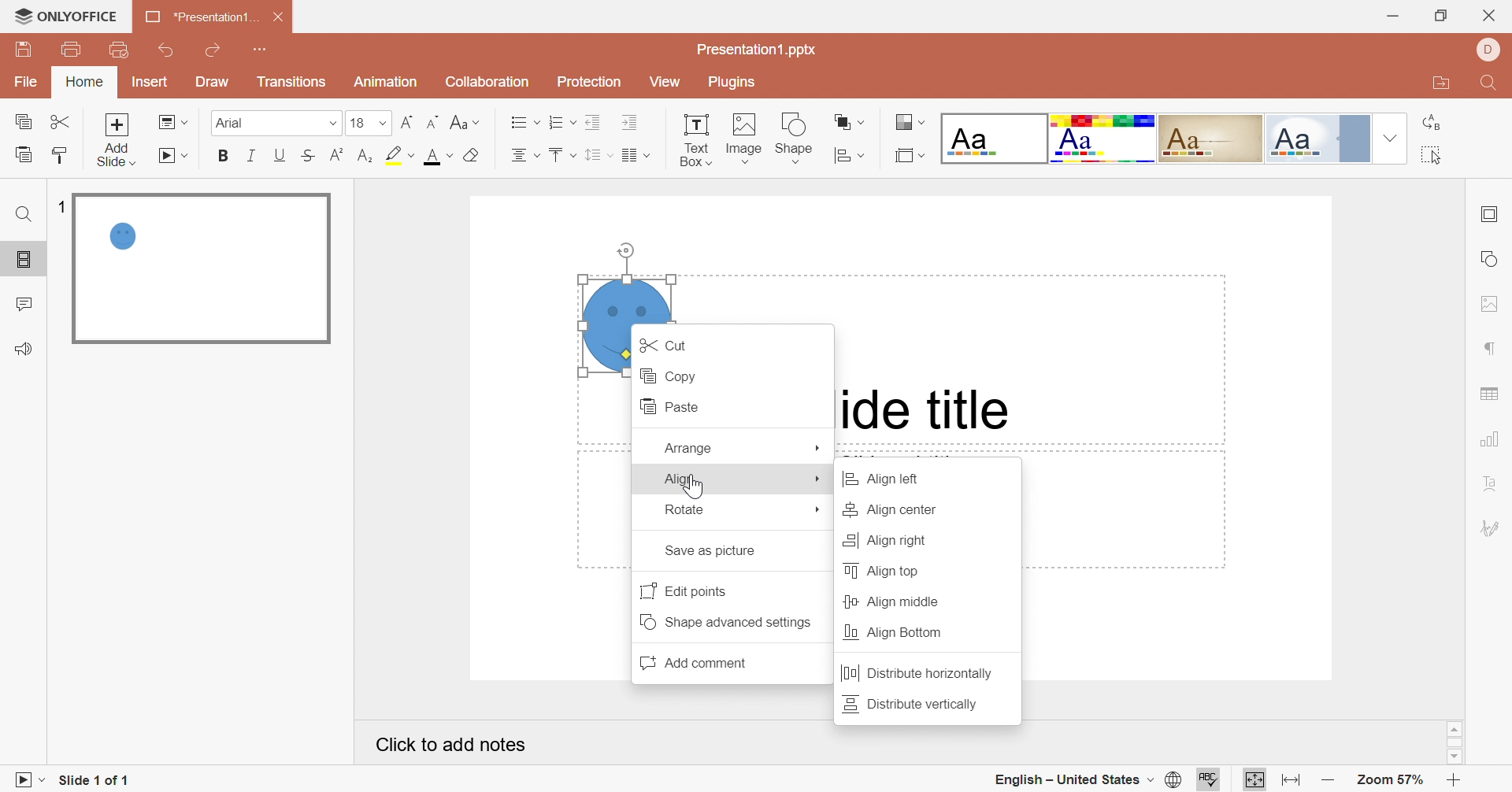 The height and width of the screenshot is (792, 1512). What do you see at coordinates (384, 86) in the screenshot?
I see `Animation` at bounding box center [384, 86].